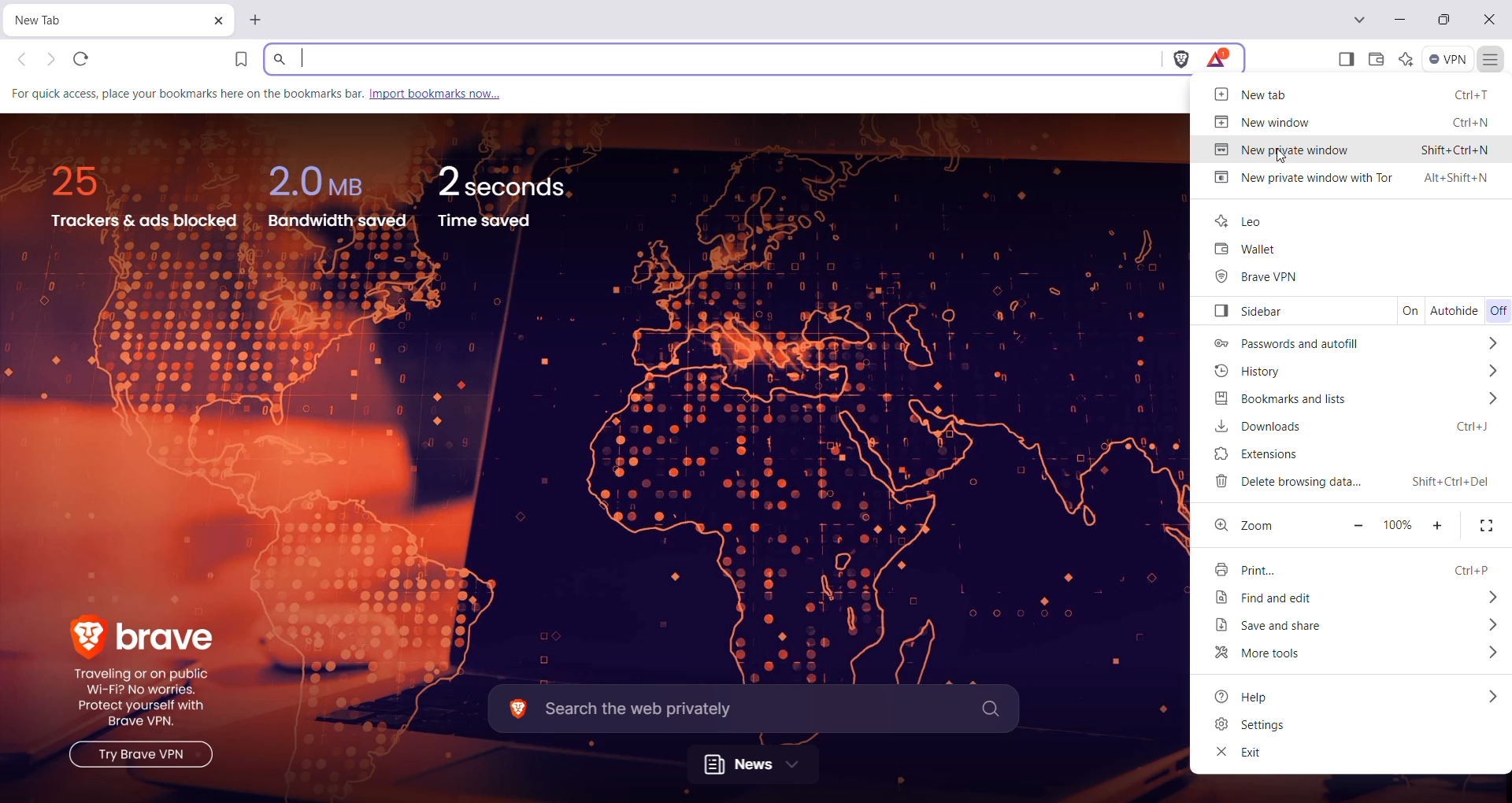 The width and height of the screenshot is (1512, 803). I want to click on New Tab, so click(1348, 94).